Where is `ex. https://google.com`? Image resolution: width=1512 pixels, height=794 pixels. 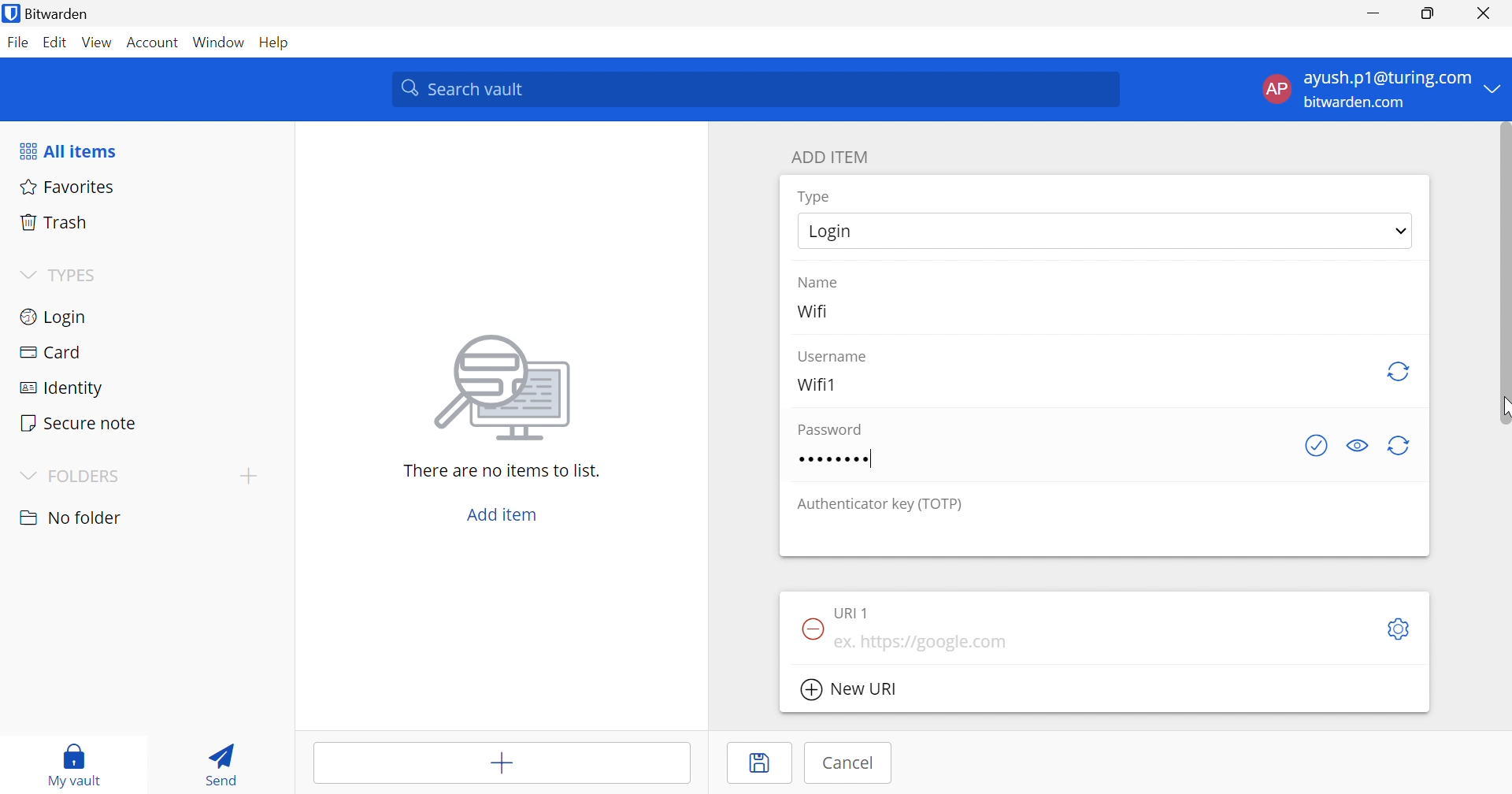
ex. https://google.com is located at coordinates (922, 643).